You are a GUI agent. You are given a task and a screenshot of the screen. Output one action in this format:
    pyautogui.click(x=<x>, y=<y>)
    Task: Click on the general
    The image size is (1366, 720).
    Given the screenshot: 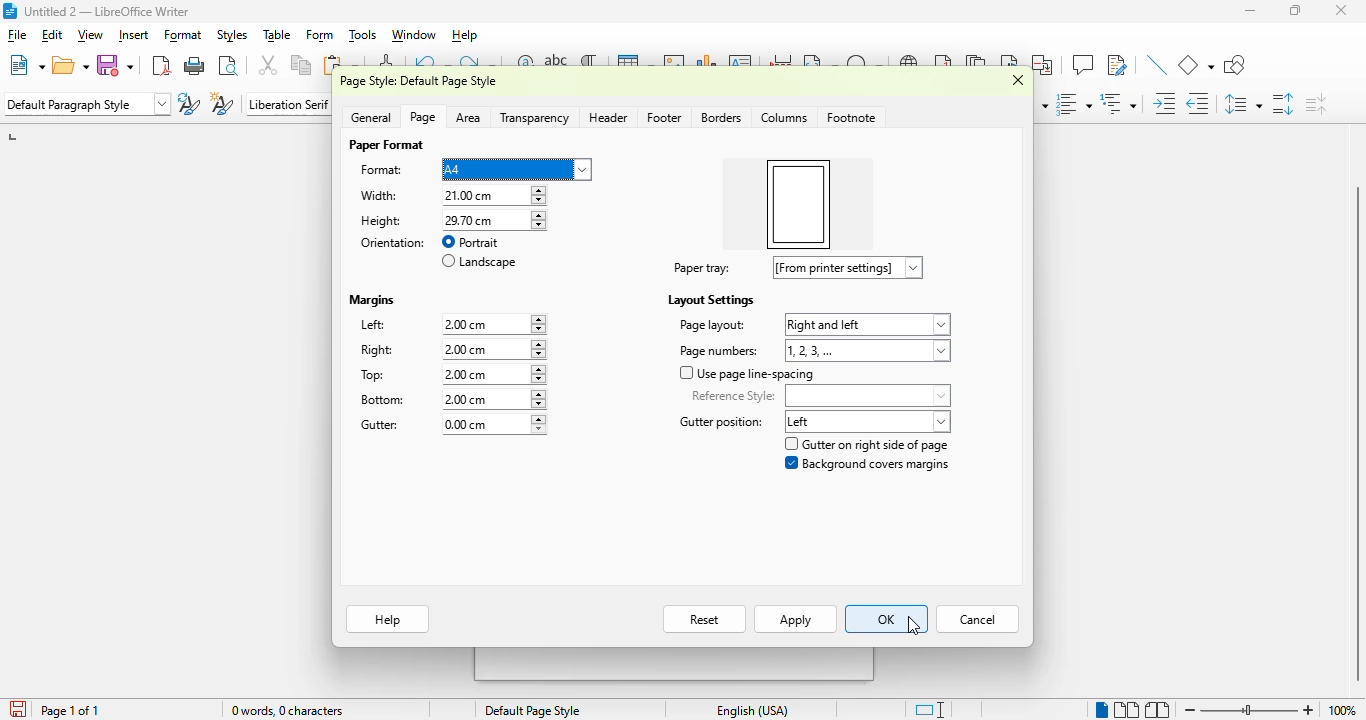 What is the action you would take?
    pyautogui.click(x=372, y=118)
    